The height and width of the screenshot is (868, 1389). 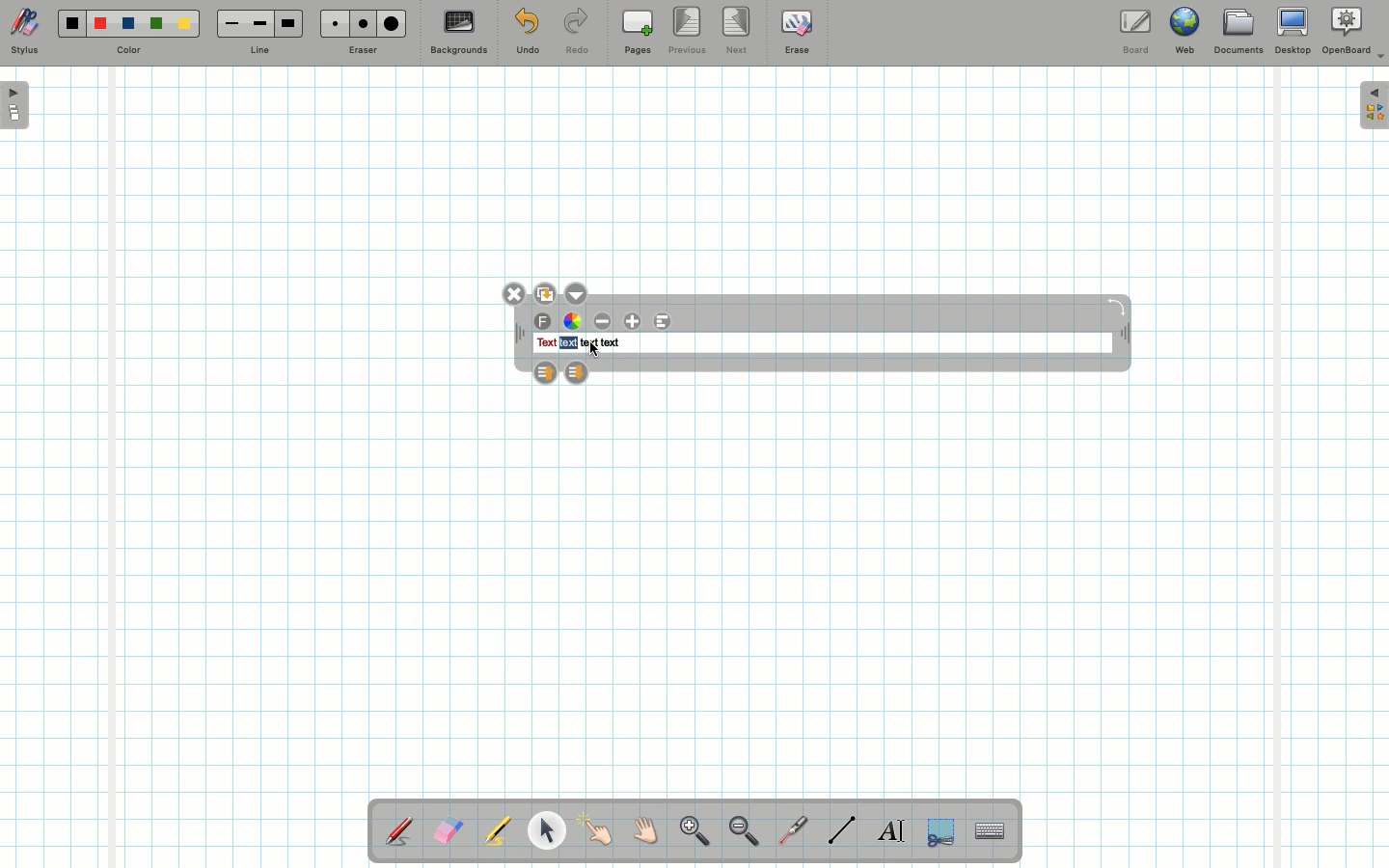 What do you see at coordinates (458, 33) in the screenshot?
I see `Backgrounds` at bounding box center [458, 33].